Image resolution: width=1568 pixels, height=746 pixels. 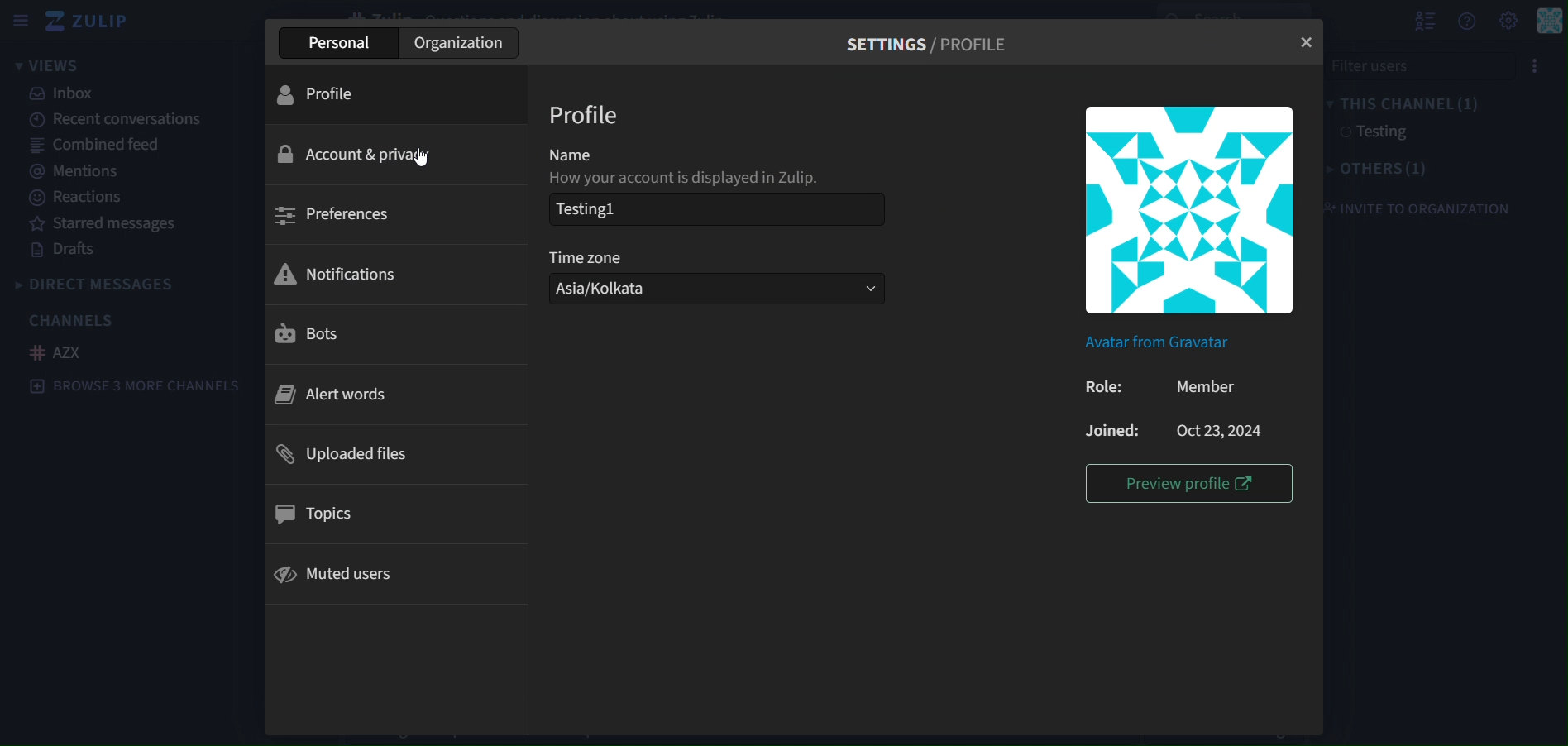 I want to click on menu, so click(x=1536, y=61).